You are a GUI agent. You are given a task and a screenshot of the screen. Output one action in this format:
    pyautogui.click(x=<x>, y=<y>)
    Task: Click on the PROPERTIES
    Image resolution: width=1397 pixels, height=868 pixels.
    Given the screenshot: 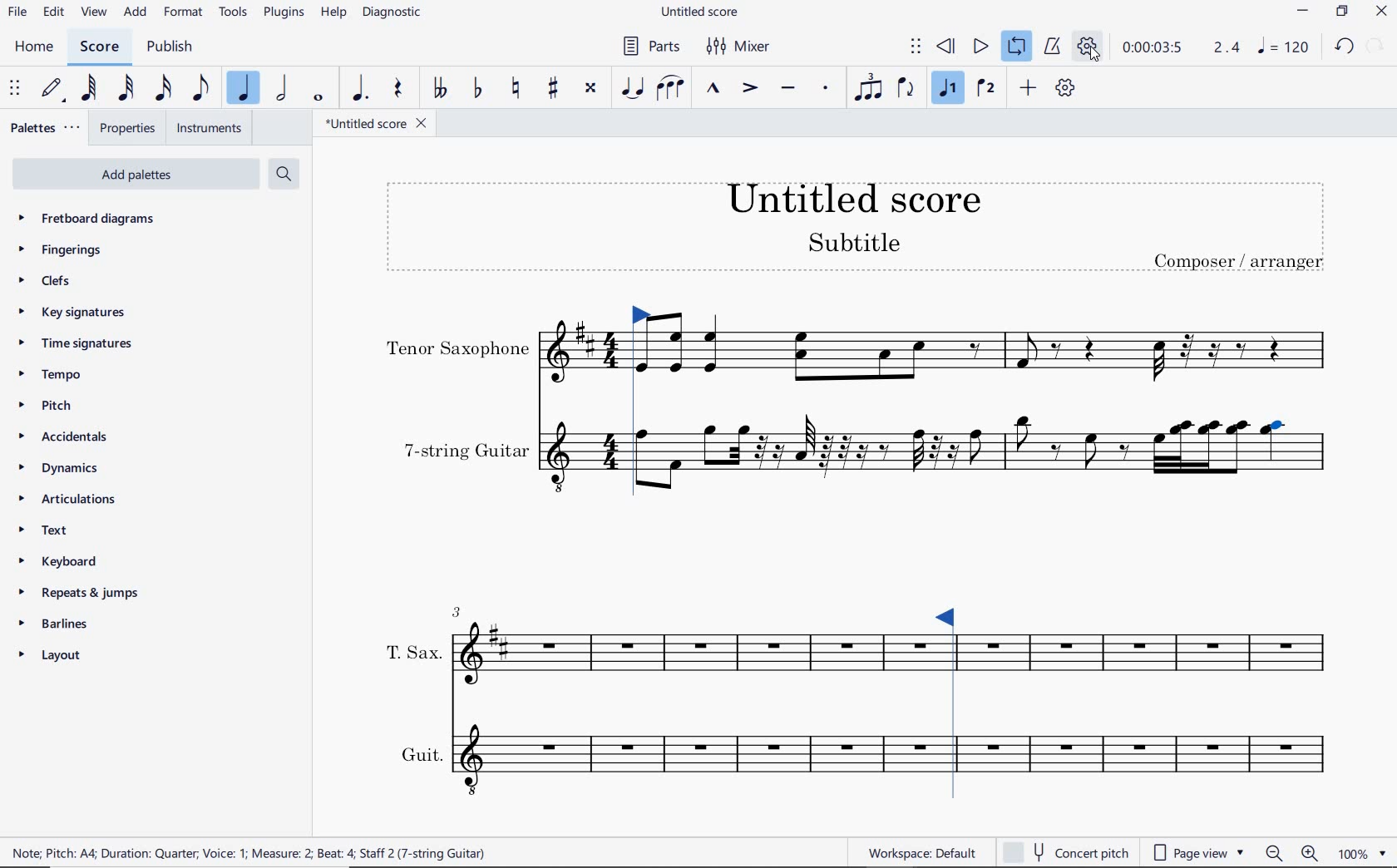 What is the action you would take?
    pyautogui.click(x=130, y=128)
    